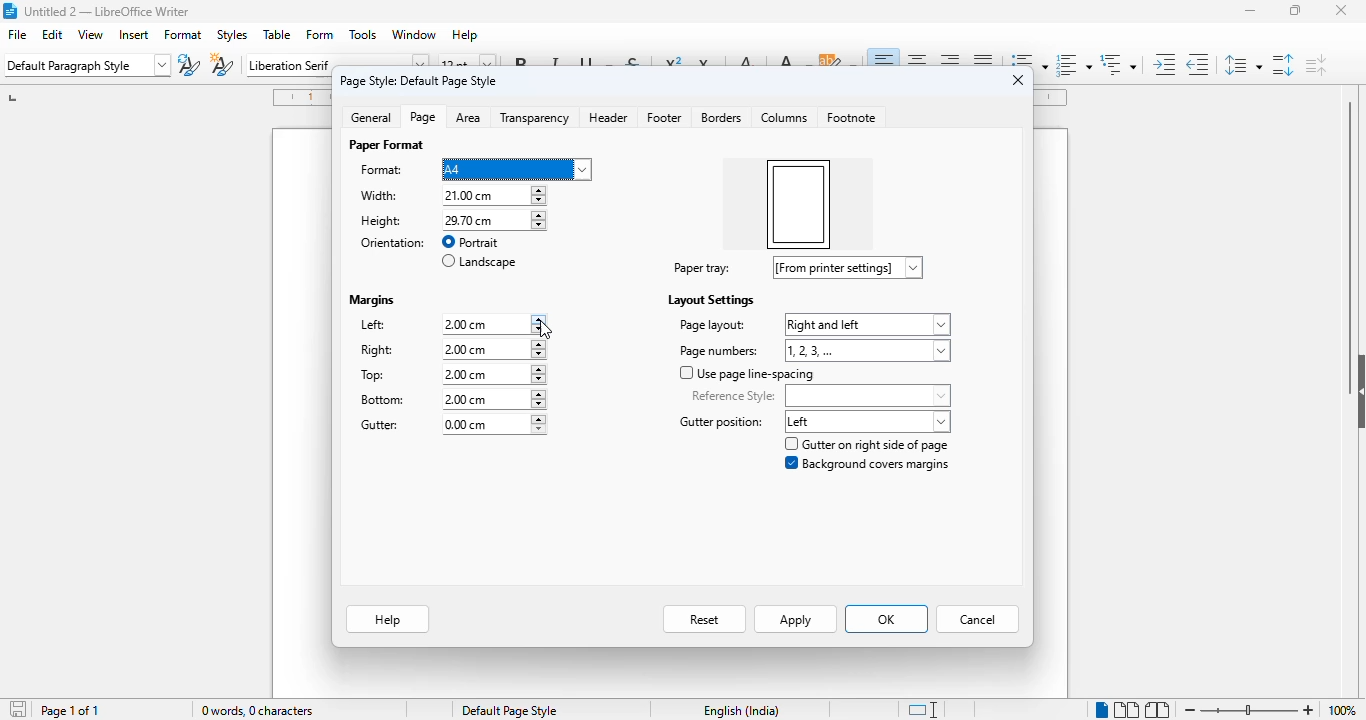 Image resolution: width=1366 pixels, height=720 pixels. Describe the element at coordinates (1316, 64) in the screenshot. I see `decrease paragraph spacing` at that location.